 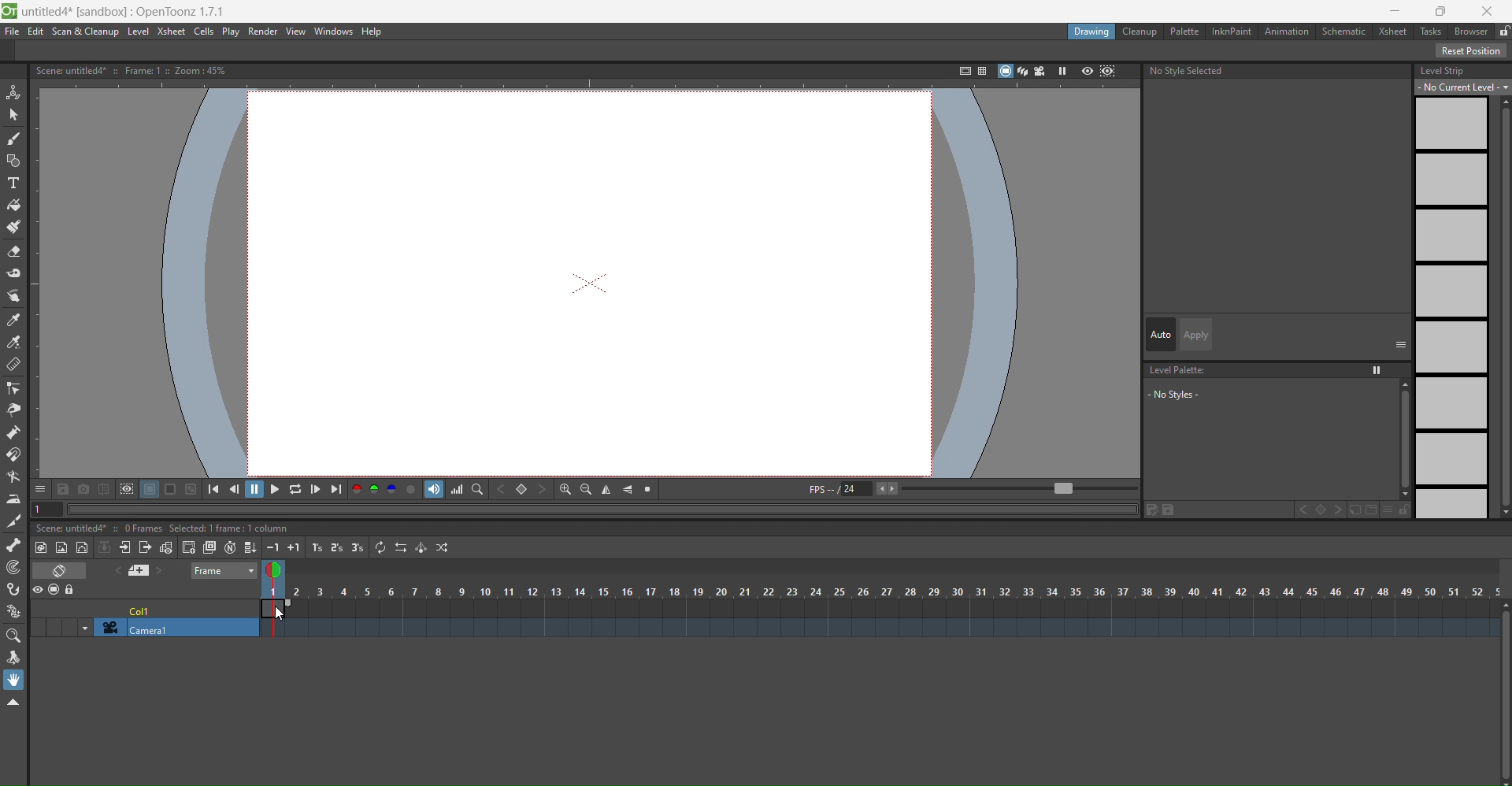 I want to click on add new memo, so click(x=143, y=570).